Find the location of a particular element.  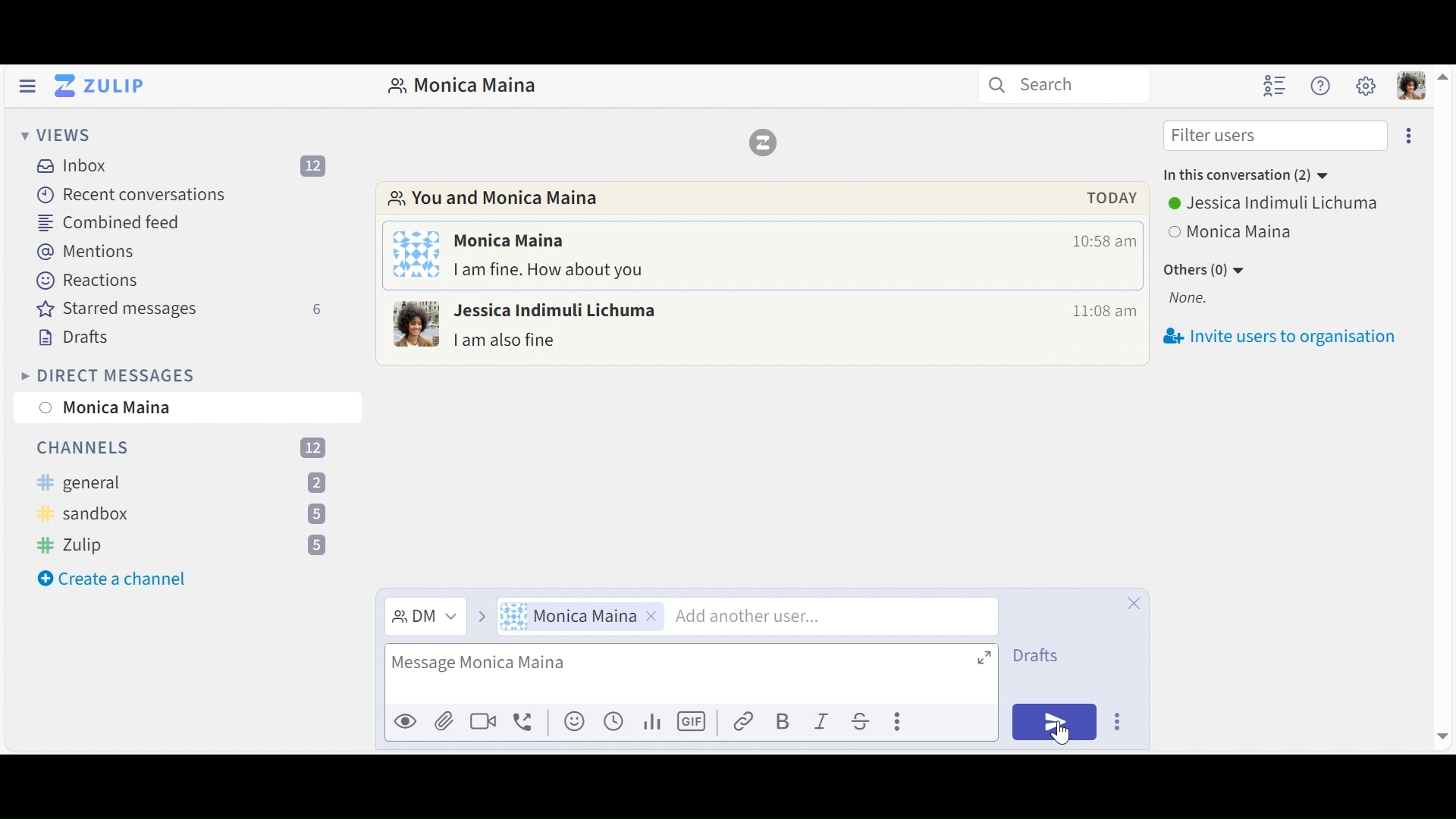

Compose messages is located at coordinates (690, 672).